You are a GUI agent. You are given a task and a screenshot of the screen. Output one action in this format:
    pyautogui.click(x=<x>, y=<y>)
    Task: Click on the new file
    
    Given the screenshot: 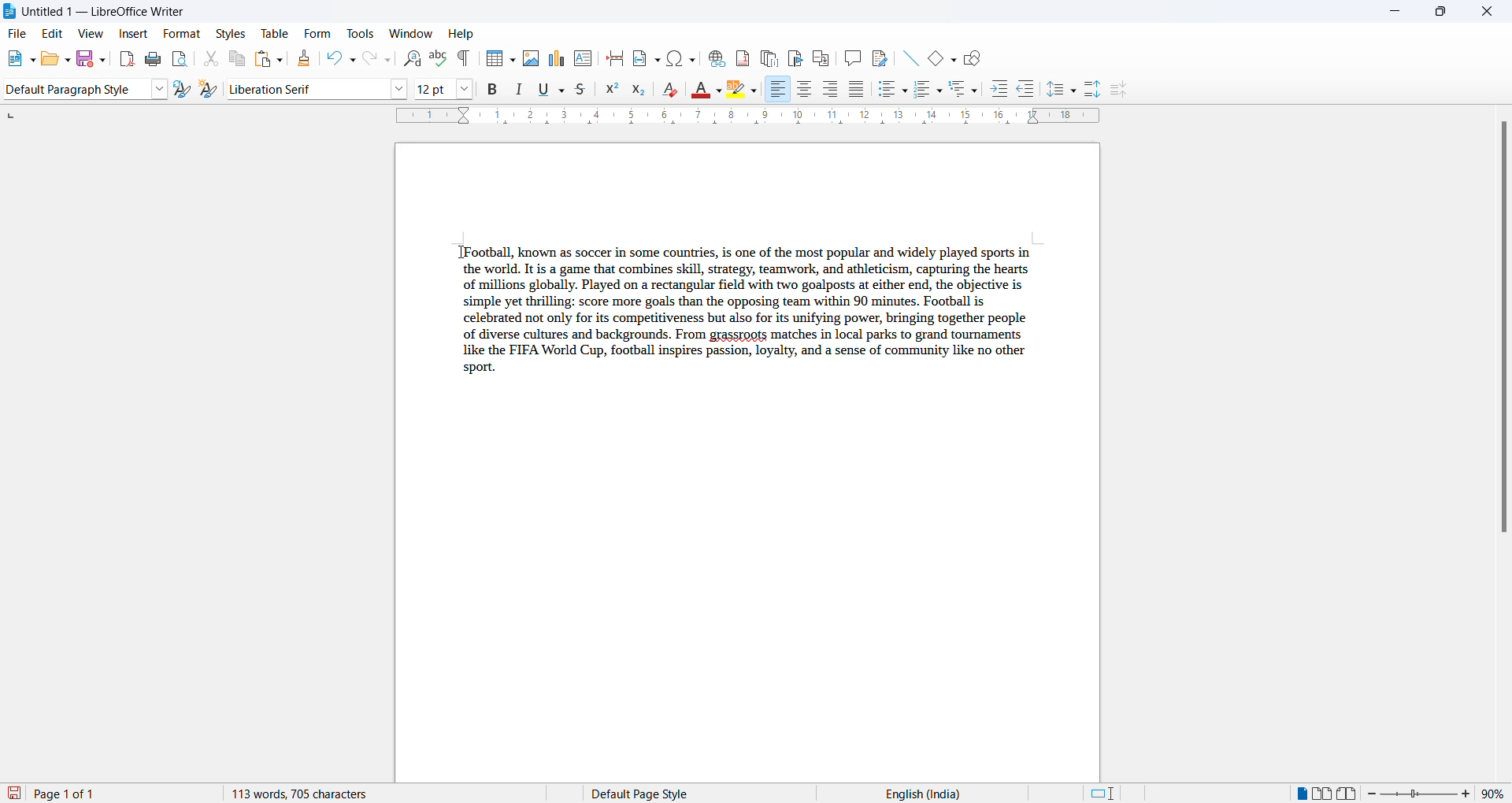 What is the action you would take?
    pyautogui.click(x=11, y=60)
    